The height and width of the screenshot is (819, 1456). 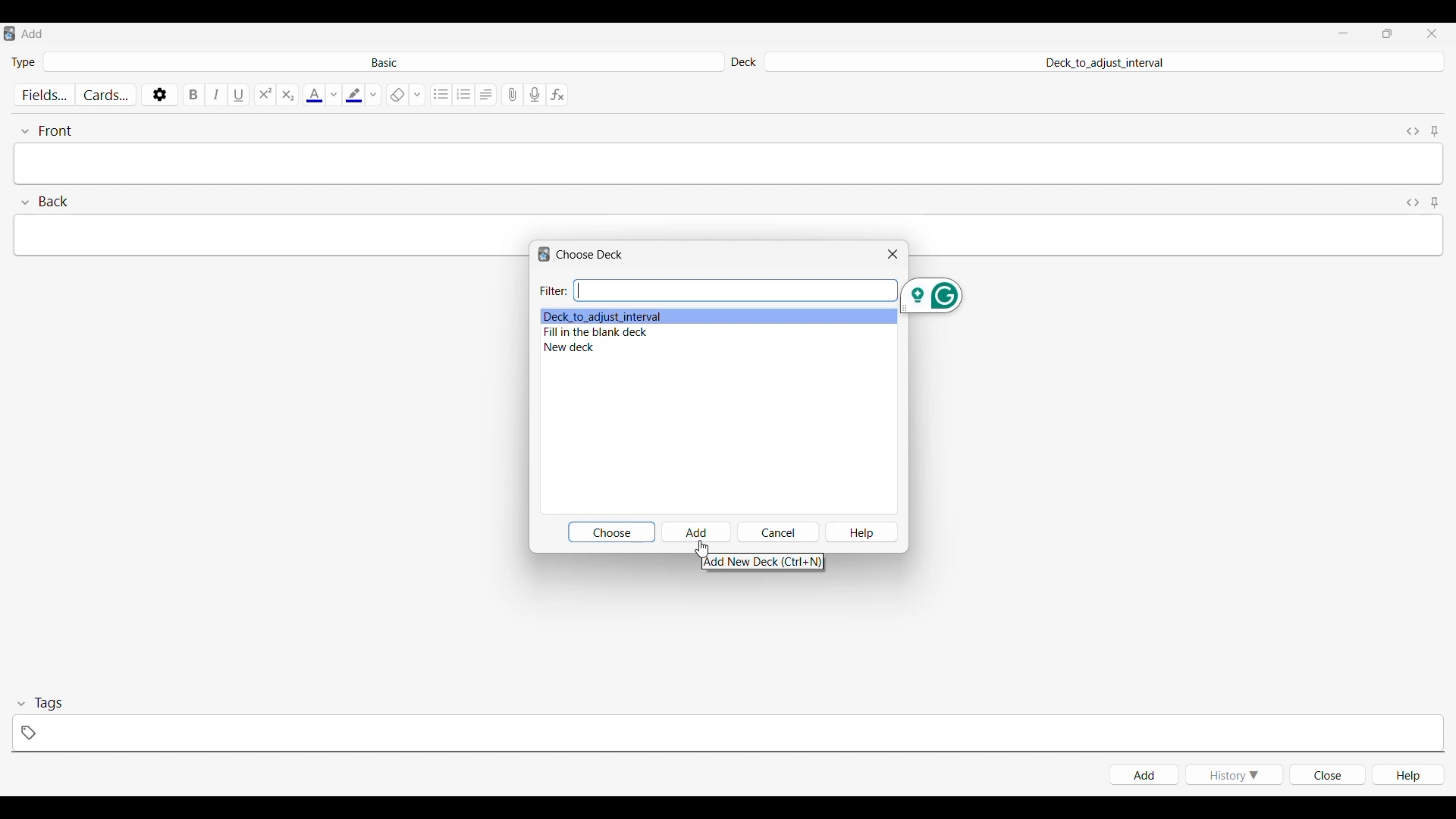 What do you see at coordinates (46, 131) in the screenshot?
I see `Collapse font field` at bounding box center [46, 131].